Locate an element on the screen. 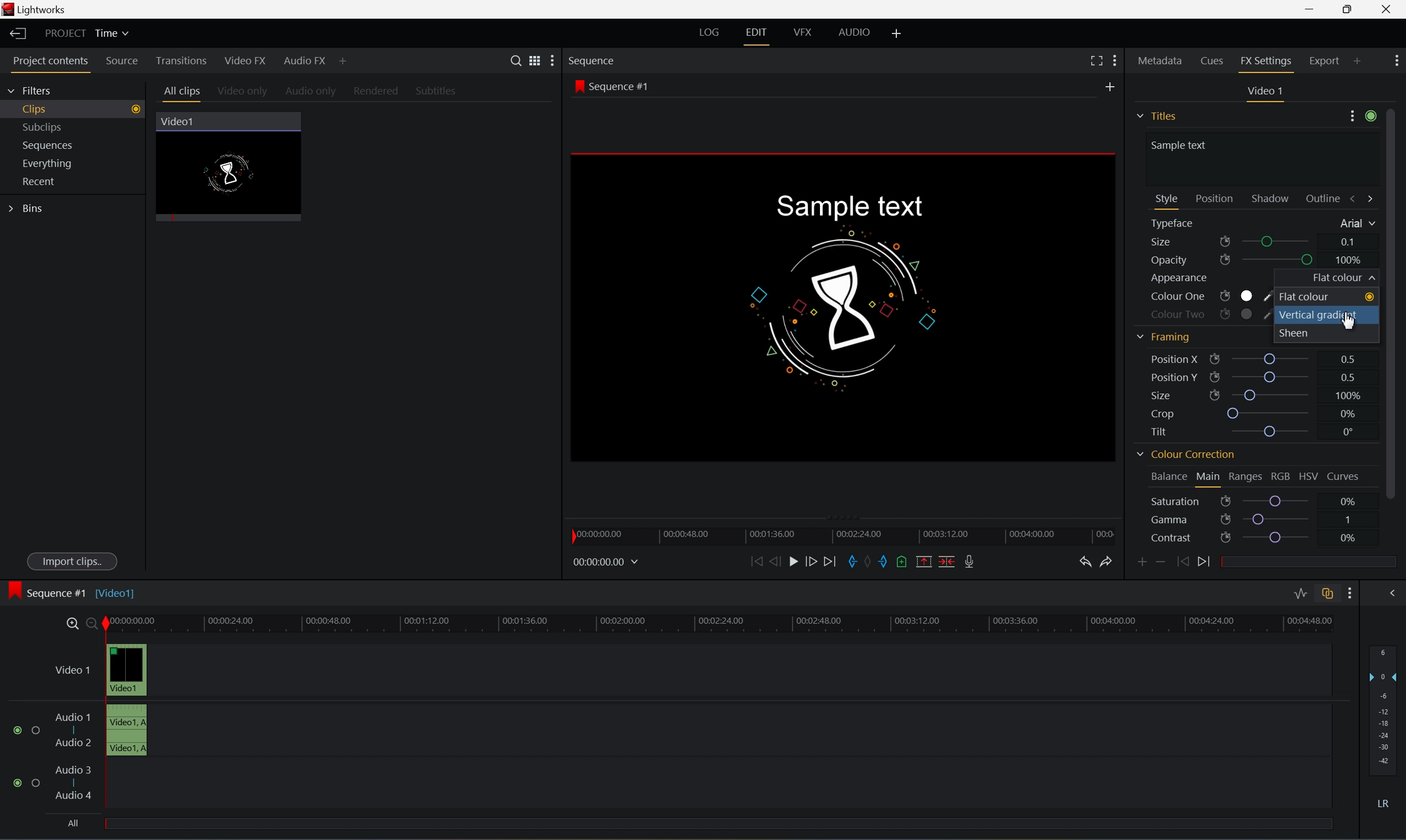 The width and height of the screenshot is (1406, 840). vfx is located at coordinates (802, 32).